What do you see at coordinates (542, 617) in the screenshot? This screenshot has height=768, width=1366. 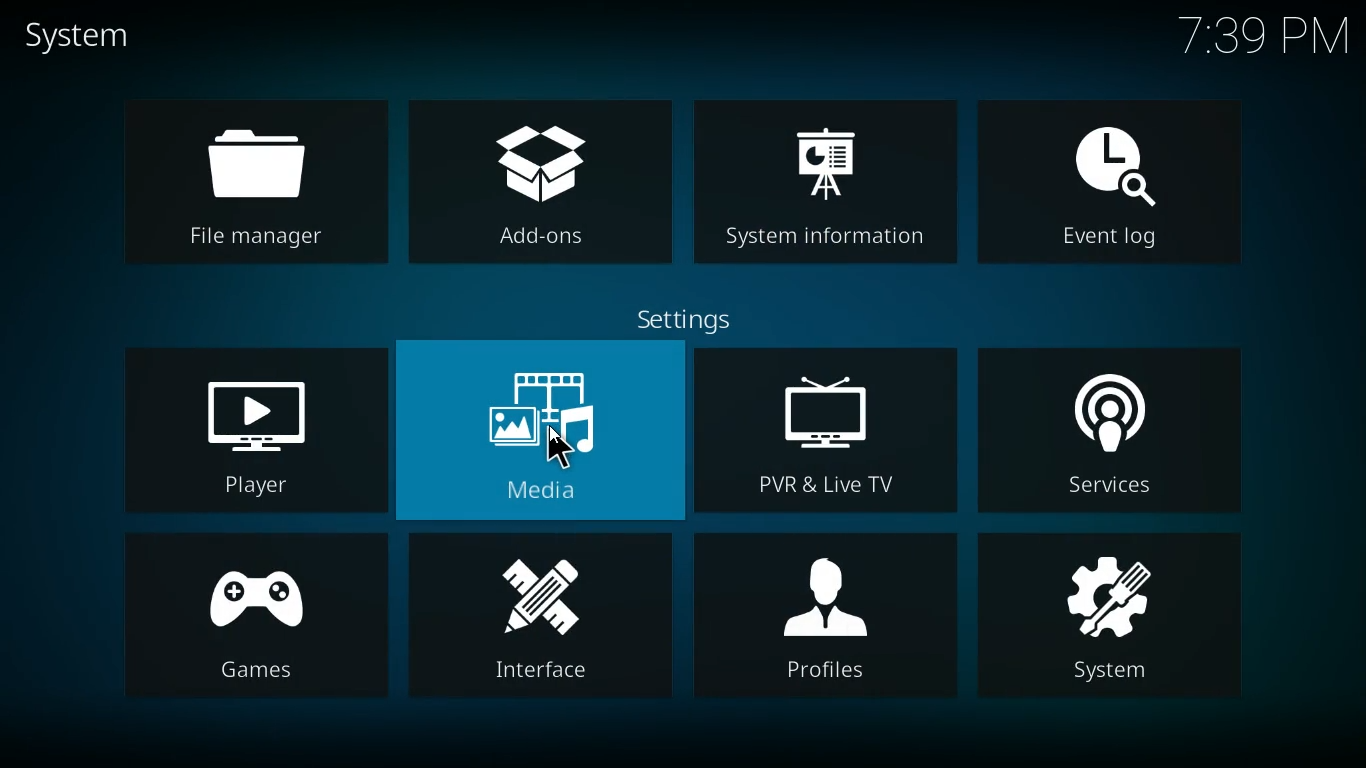 I see `interface` at bounding box center [542, 617].